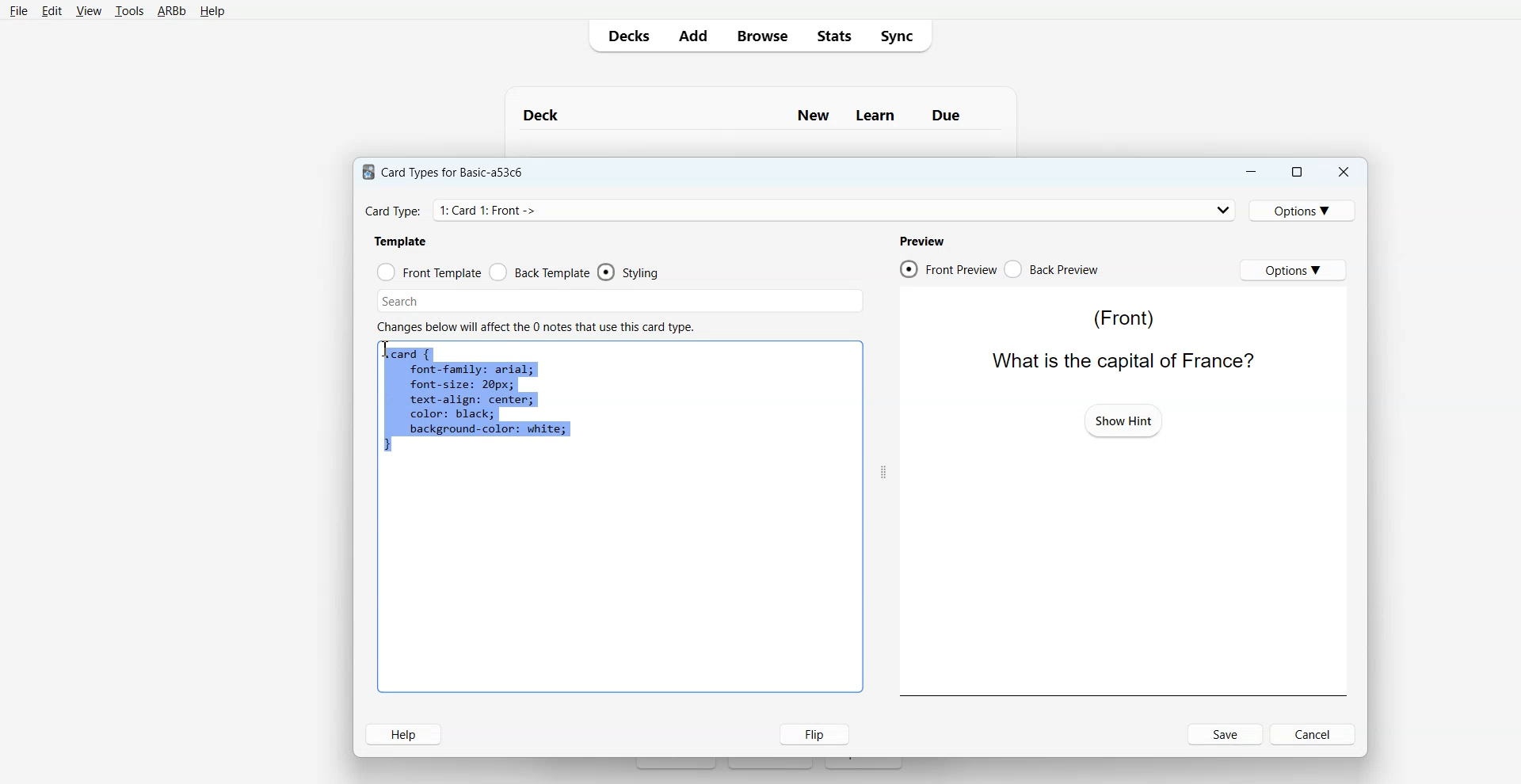  Describe the element at coordinates (1295, 172) in the screenshot. I see `Maximize` at that location.